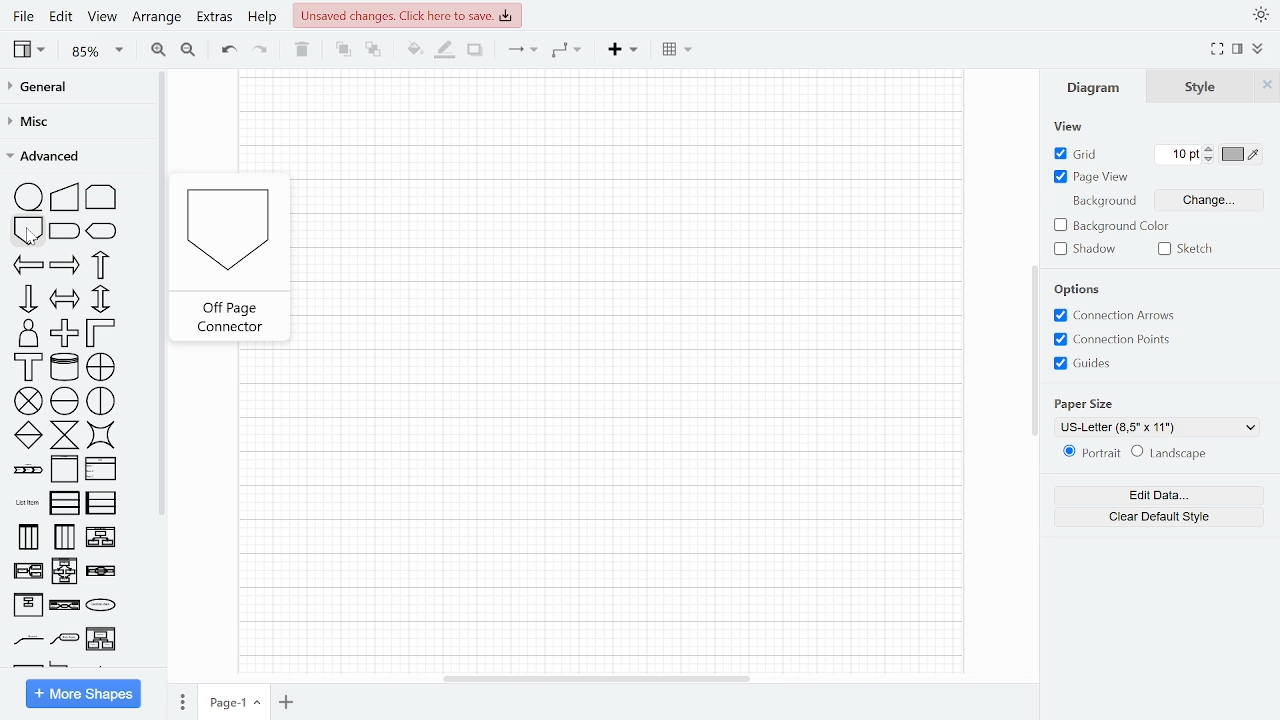  Describe the element at coordinates (234, 700) in the screenshot. I see `Page-1` at that location.